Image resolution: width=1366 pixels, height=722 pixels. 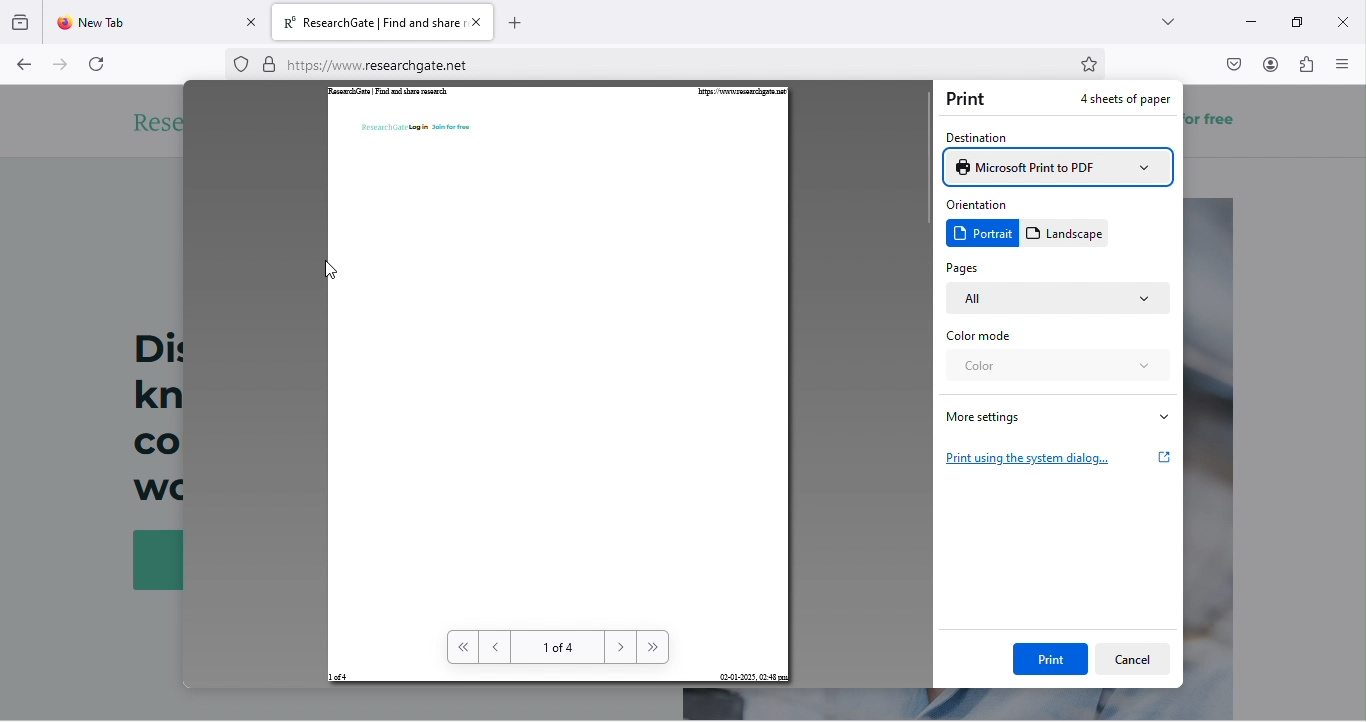 I want to click on print, so click(x=966, y=99).